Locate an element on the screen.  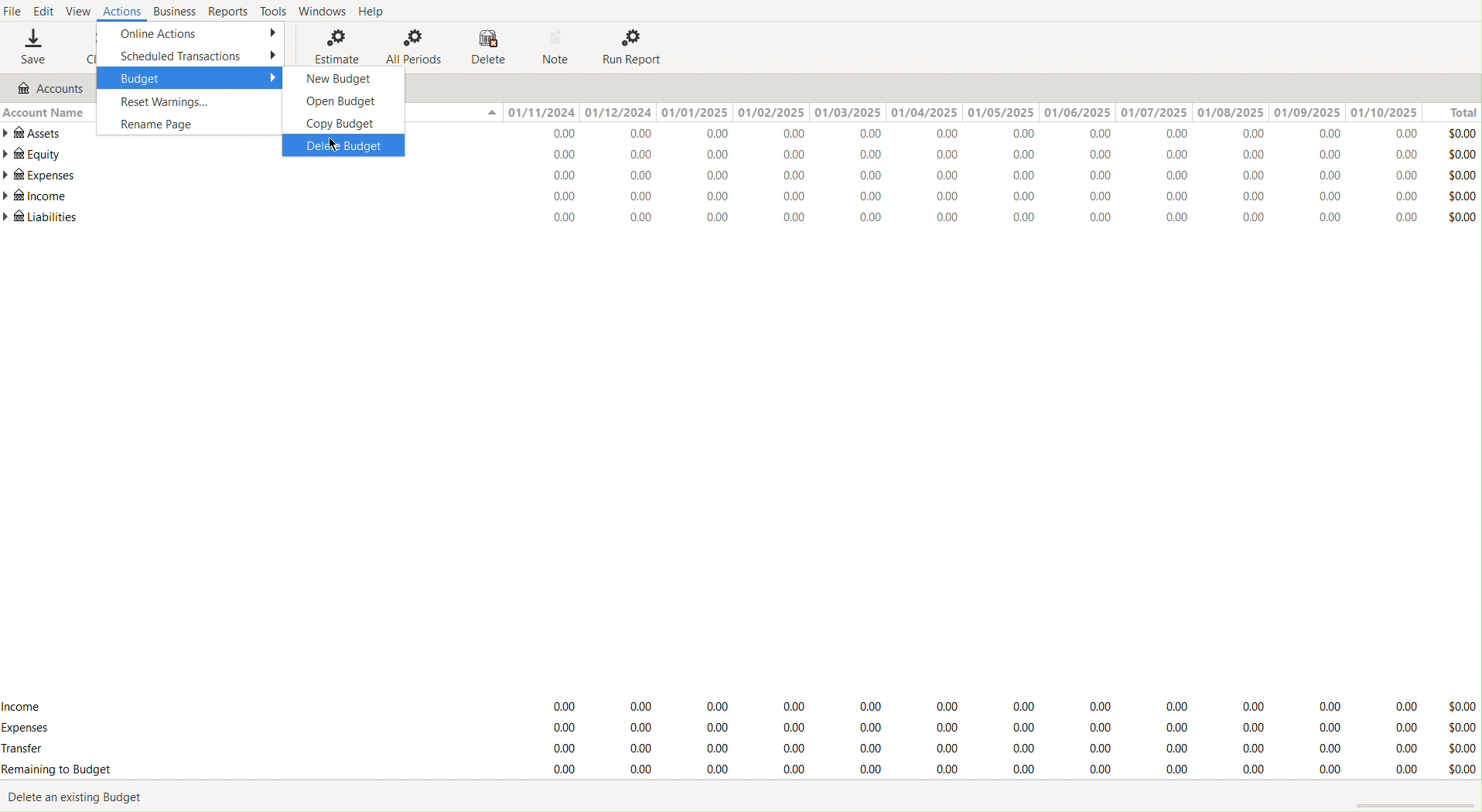
Online Actions is located at coordinates (191, 35).